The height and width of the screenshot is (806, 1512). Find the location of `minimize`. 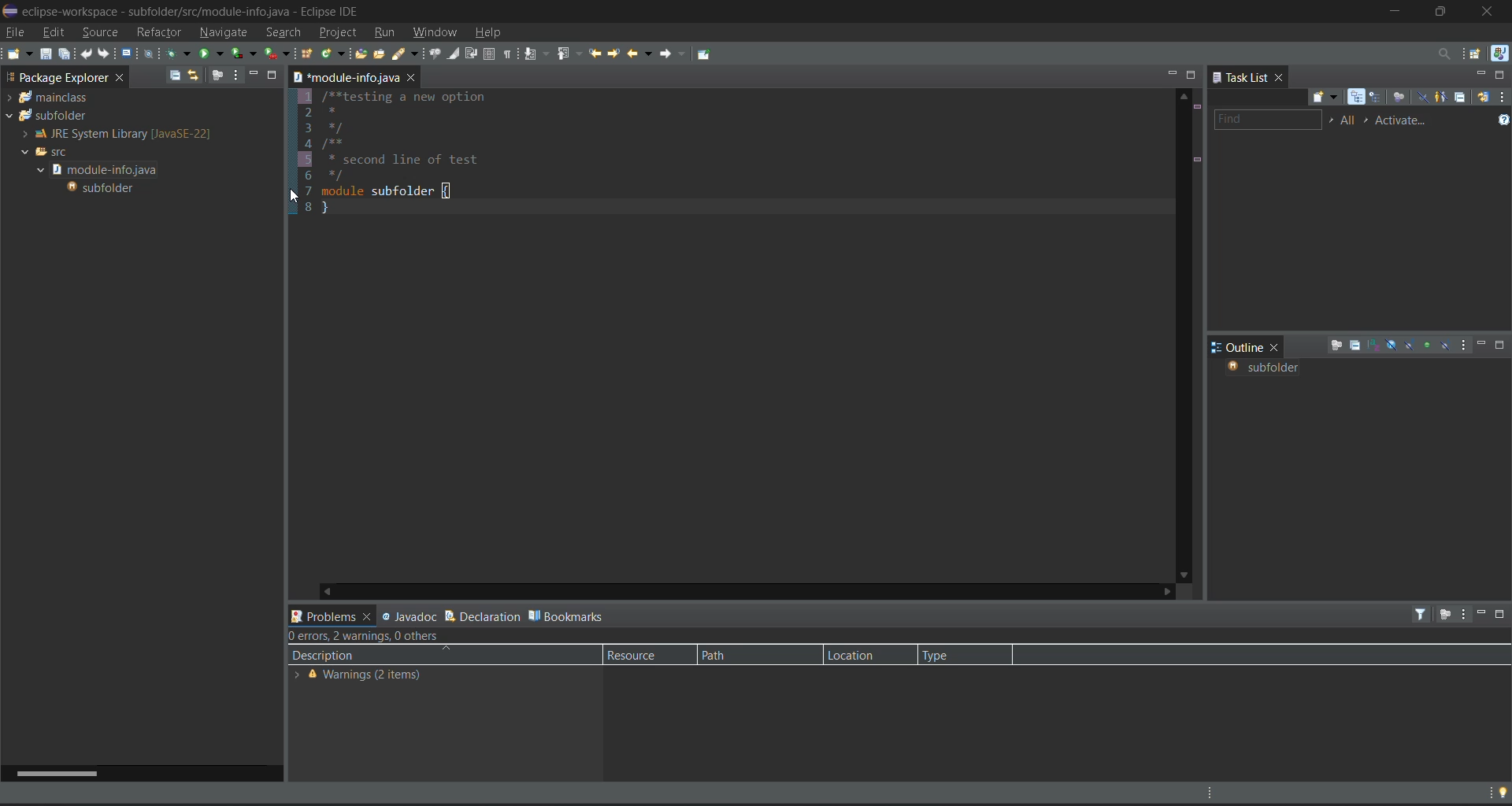

minimize is located at coordinates (251, 74).